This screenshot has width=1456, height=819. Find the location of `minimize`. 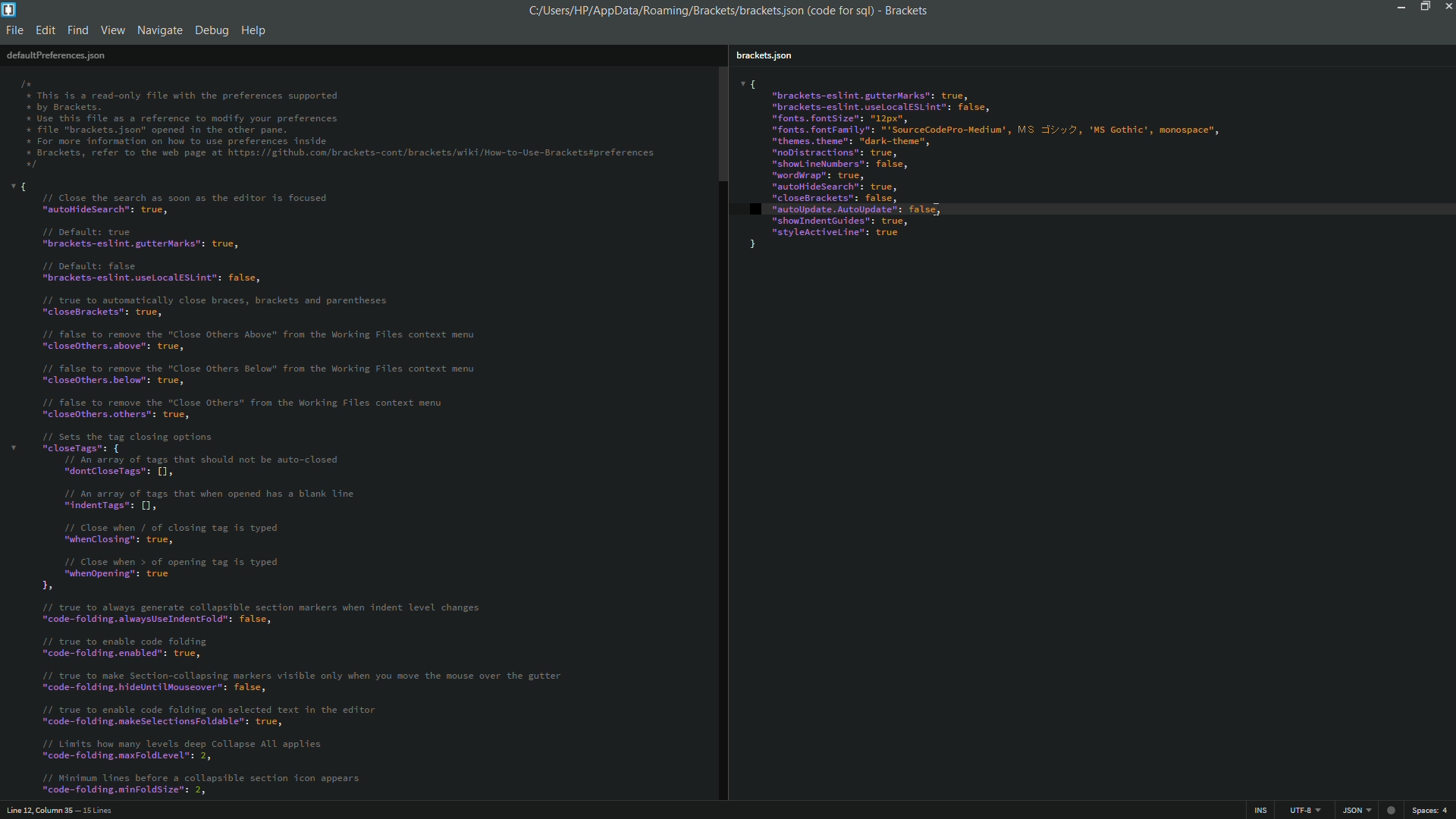

minimize is located at coordinates (1401, 8).